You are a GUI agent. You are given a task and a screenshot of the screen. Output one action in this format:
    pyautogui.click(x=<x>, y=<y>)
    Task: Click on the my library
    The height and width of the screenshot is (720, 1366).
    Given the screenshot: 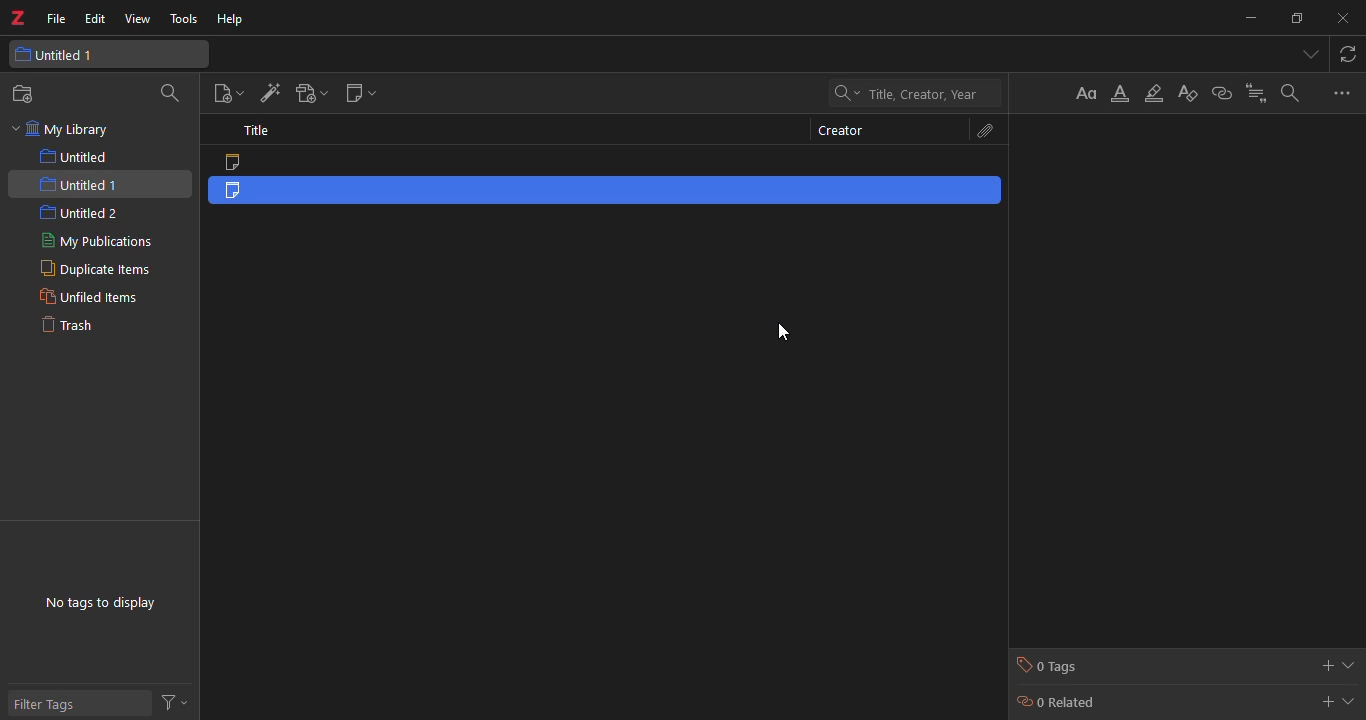 What is the action you would take?
    pyautogui.click(x=72, y=131)
    